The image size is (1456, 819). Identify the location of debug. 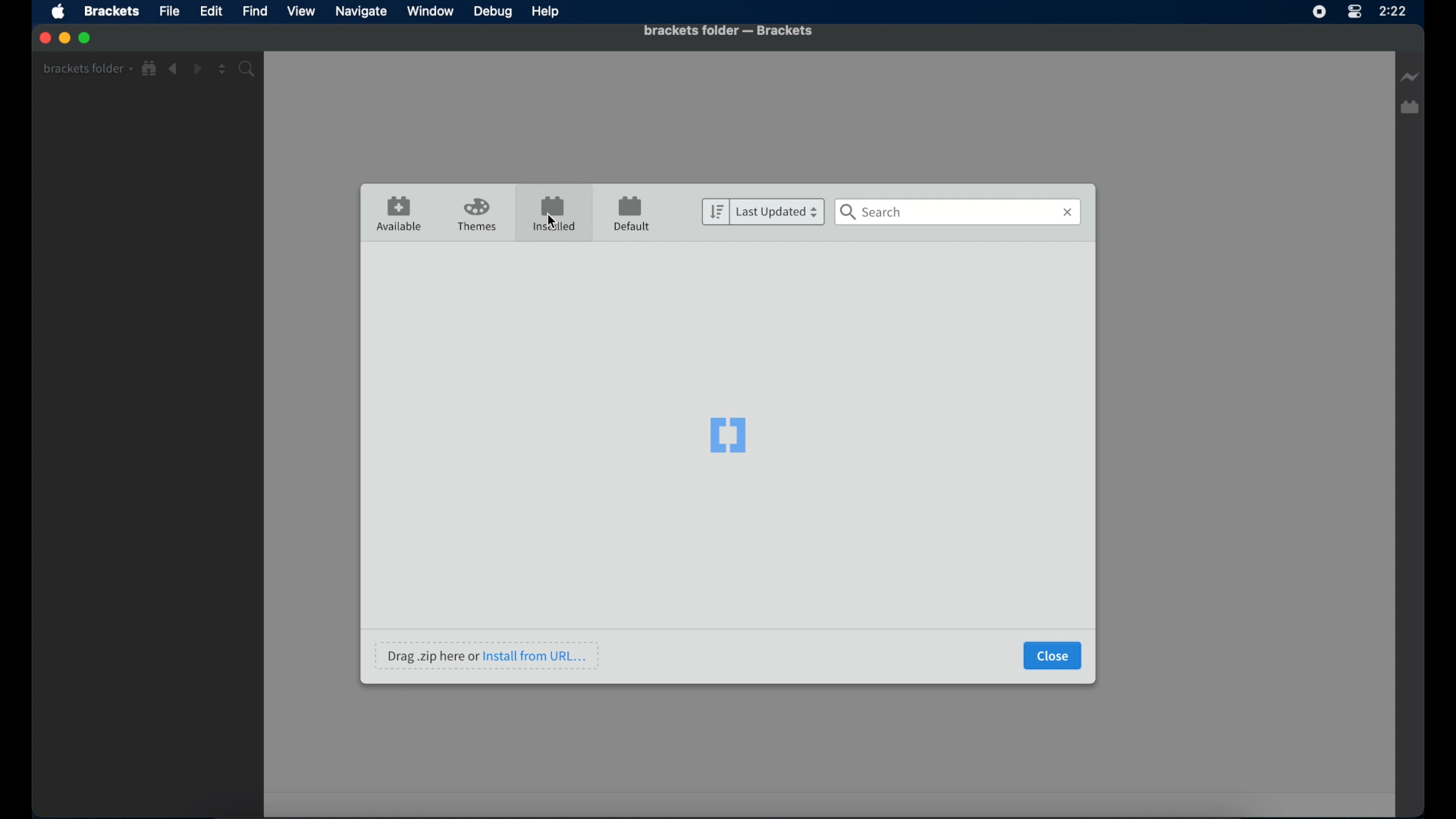
(494, 13).